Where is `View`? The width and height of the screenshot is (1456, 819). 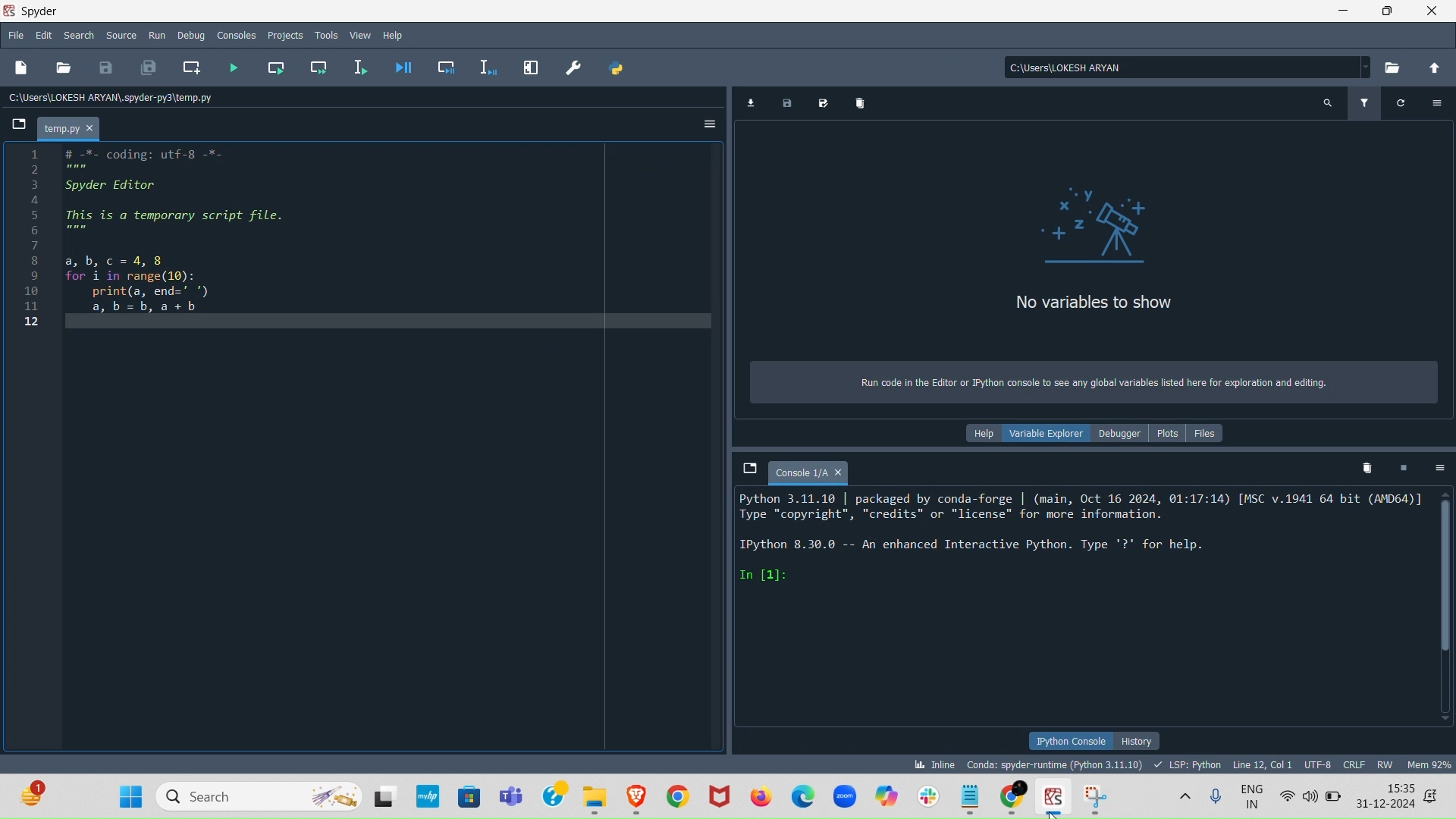 View is located at coordinates (363, 33).